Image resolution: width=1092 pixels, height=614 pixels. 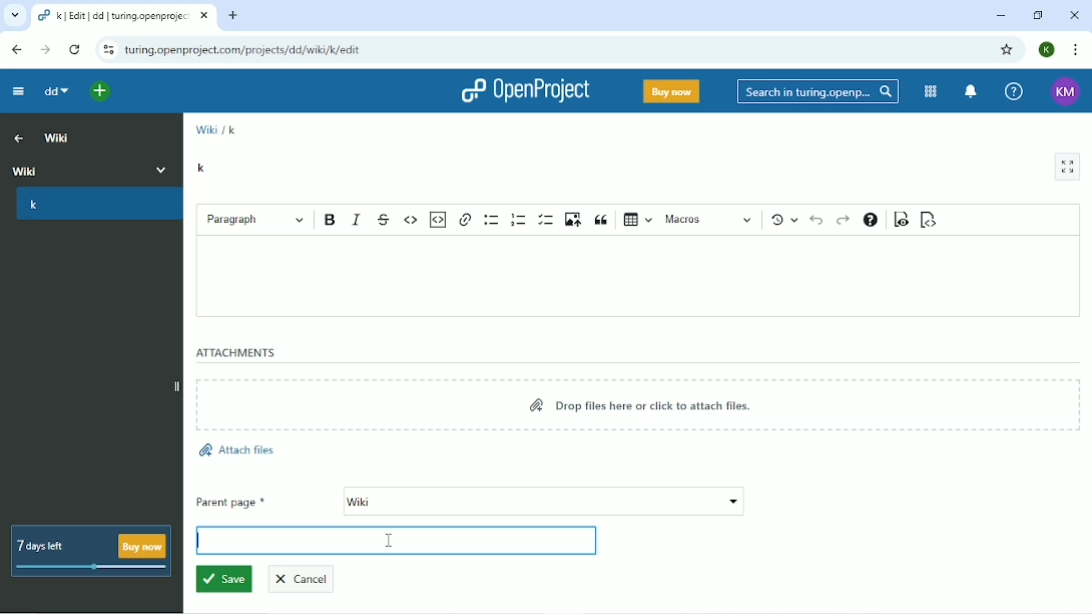 What do you see at coordinates (1047, 49) in the screenshot?
I see `Account` at bounding box center [1047, 49].